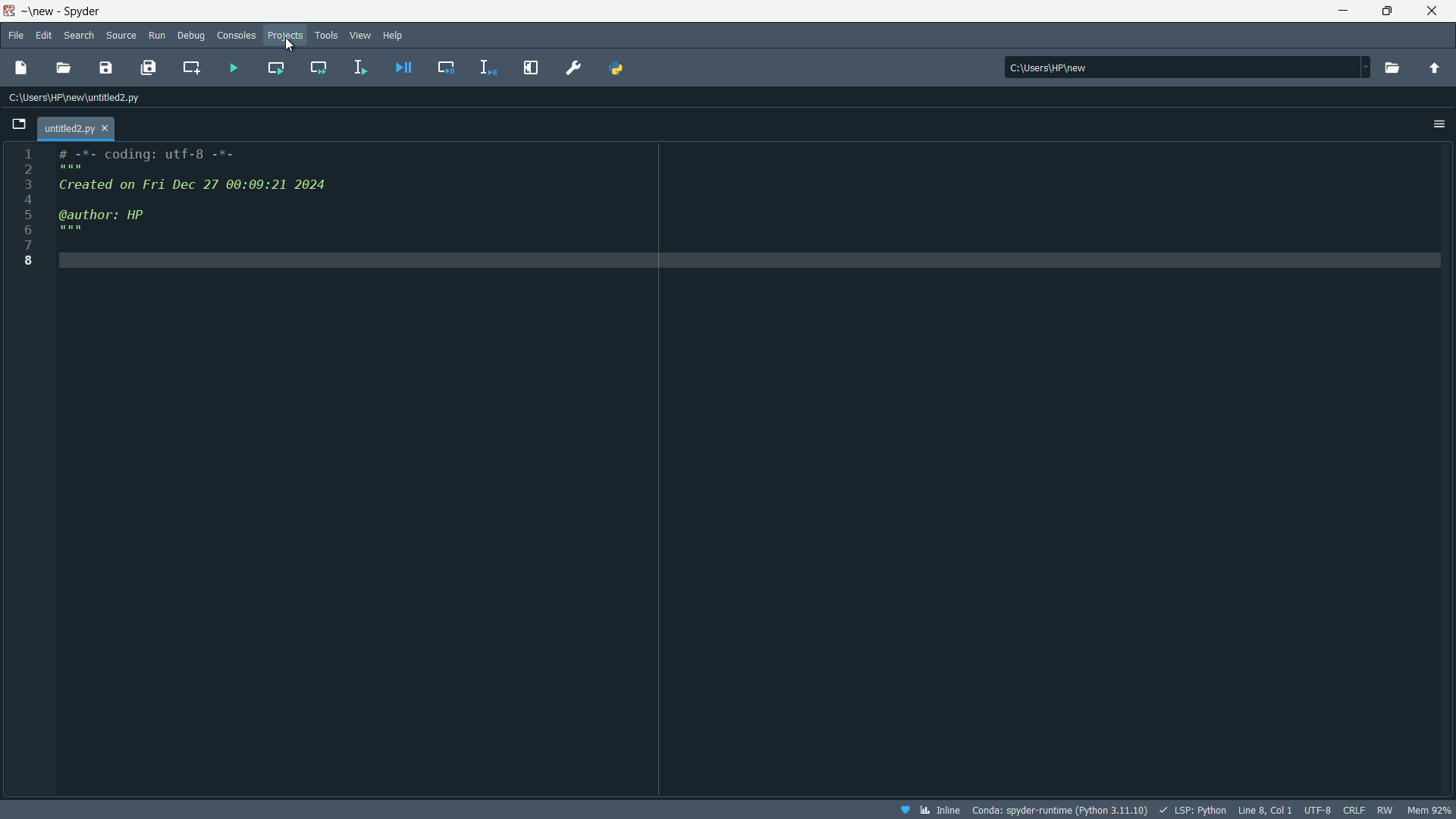 This screenshot has width=1456, height=819. What do you see at coordinates (930, 809) in the screenshot?
I see `Inline` at bounding box center [930, 809].